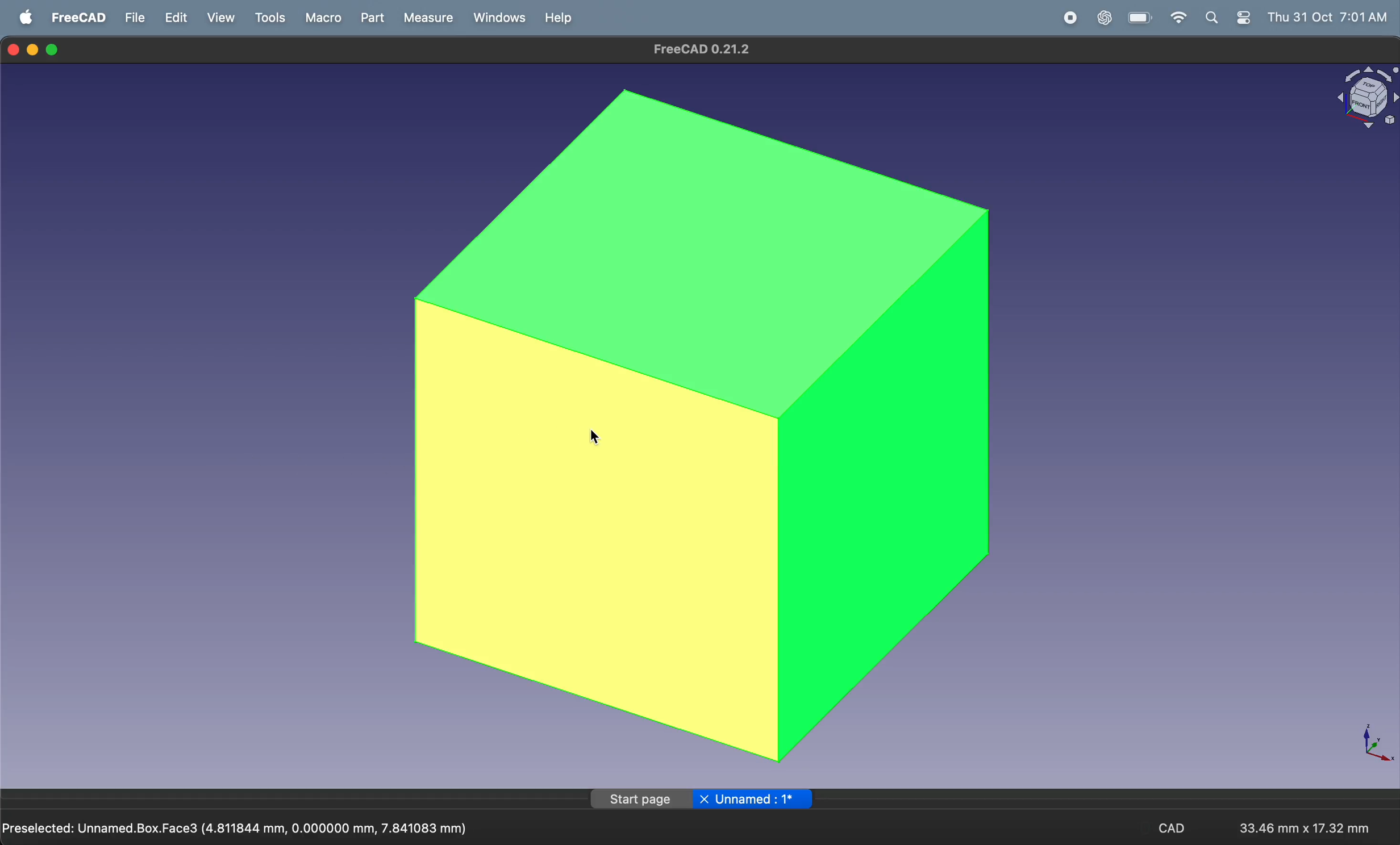 The width and height of the screenshot is (1400, 845). I want to click on marco, so click(322, 18).